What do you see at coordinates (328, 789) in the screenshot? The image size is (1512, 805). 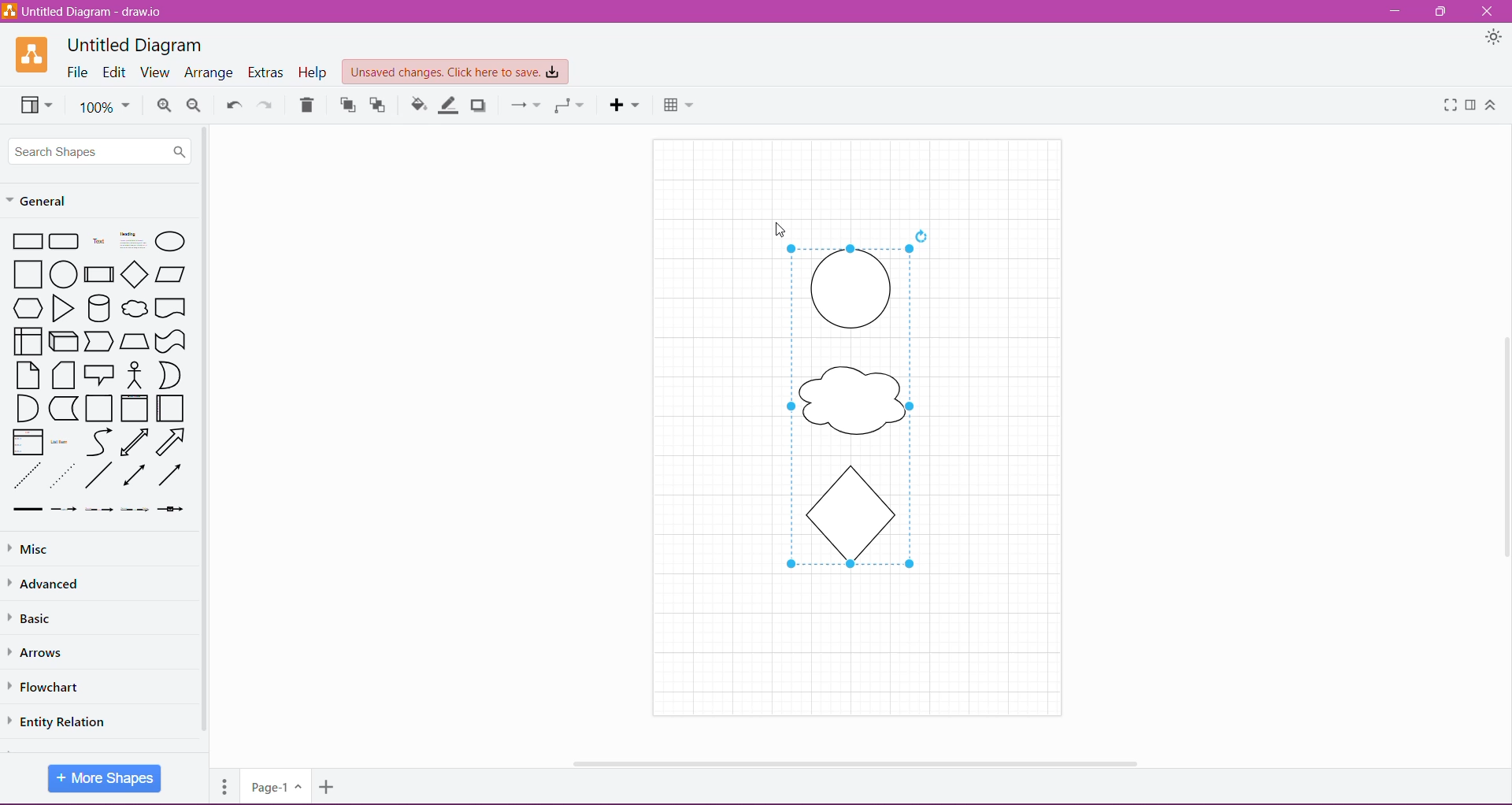 I see `Insert Page` at bounding box center [328, 789].